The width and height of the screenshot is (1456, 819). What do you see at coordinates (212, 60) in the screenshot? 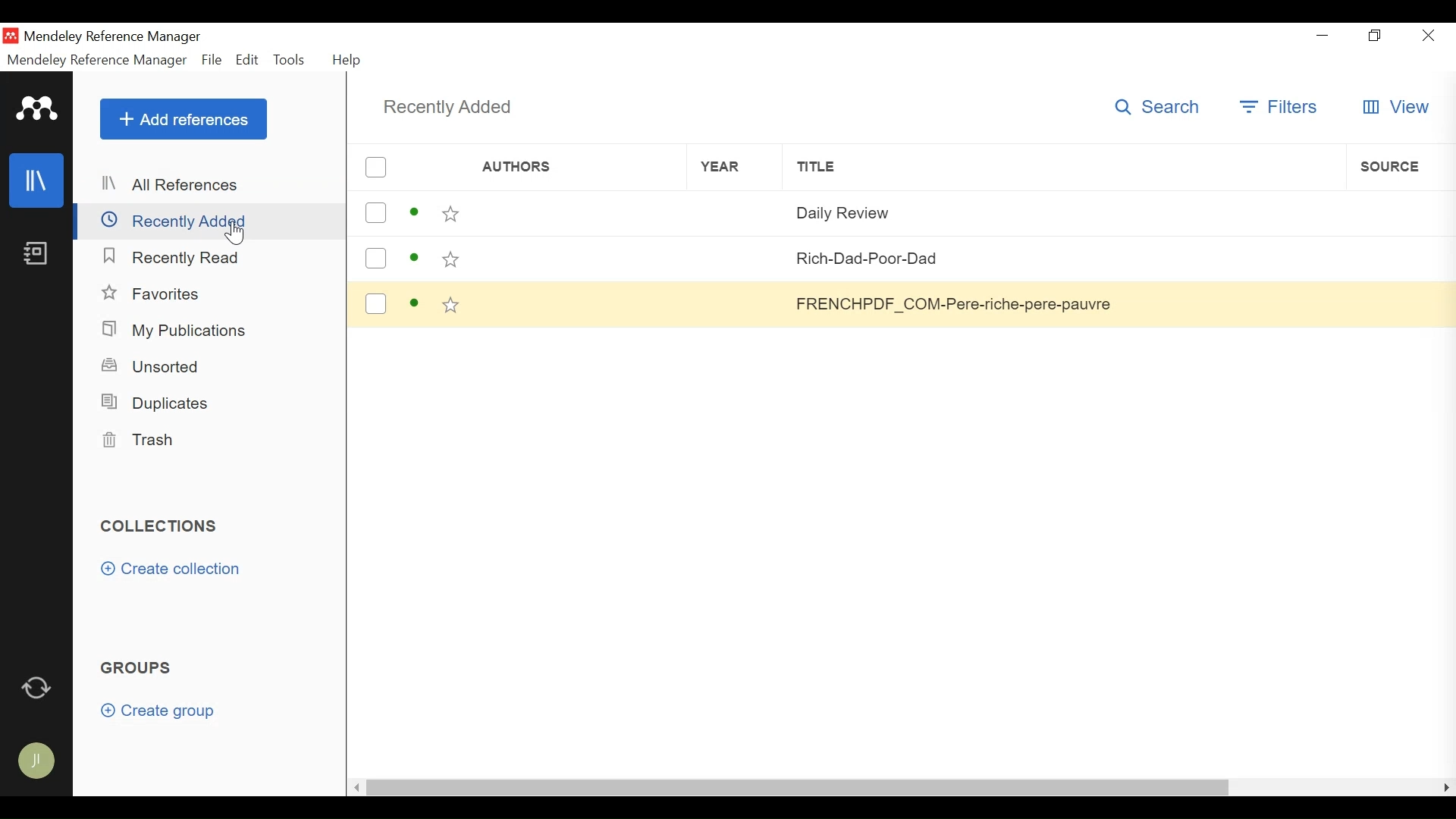
I see `File` at bounding box center [212, 60].